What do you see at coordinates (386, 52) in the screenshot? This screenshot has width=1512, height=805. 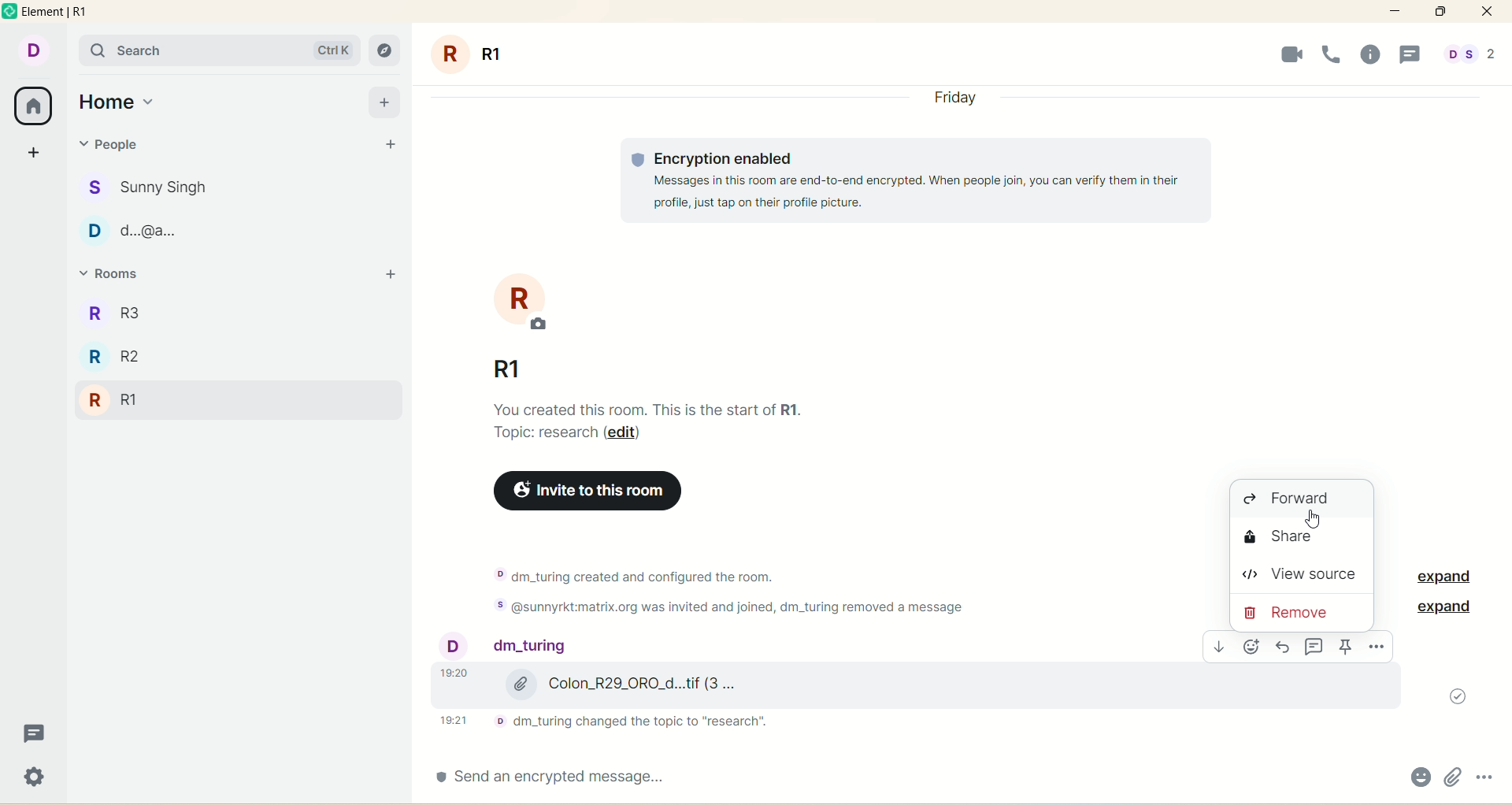 I see `explore rooms` at bounding box center [386, 52].